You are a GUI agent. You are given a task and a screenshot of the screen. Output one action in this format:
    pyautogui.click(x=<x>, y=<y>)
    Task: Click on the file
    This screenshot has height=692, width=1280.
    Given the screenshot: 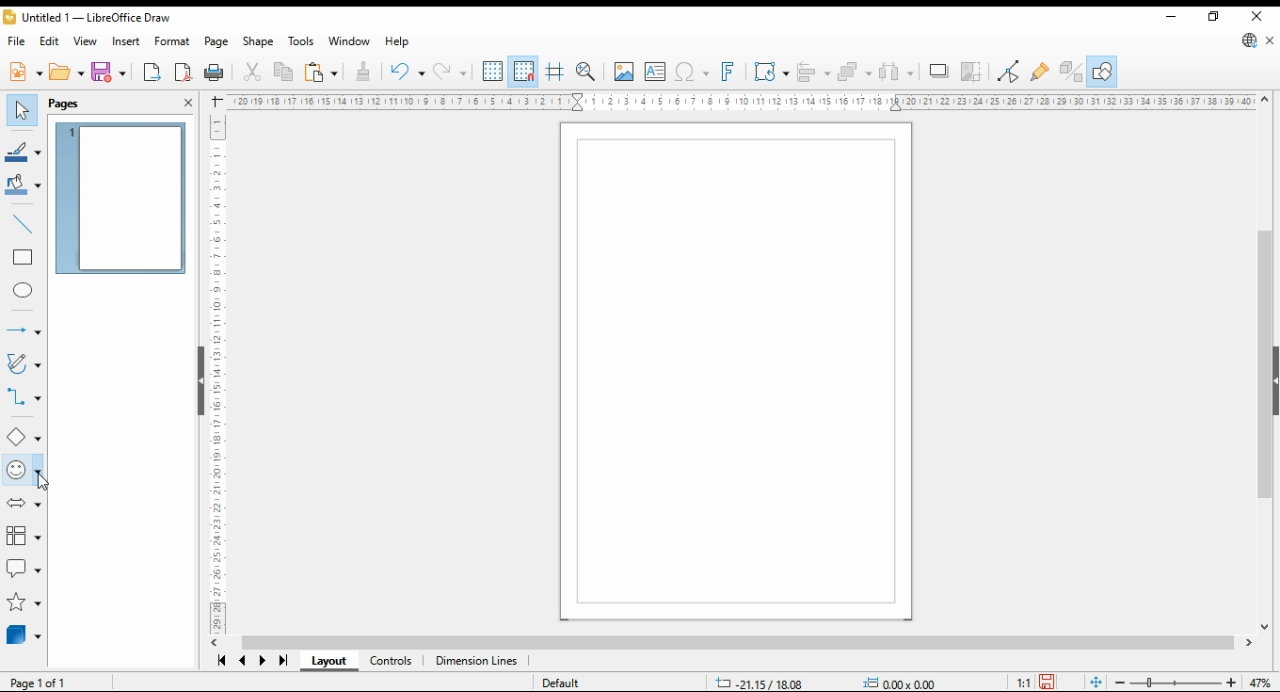 What is the action you would take?
    pyautogui.click(x=15, y=42)
    